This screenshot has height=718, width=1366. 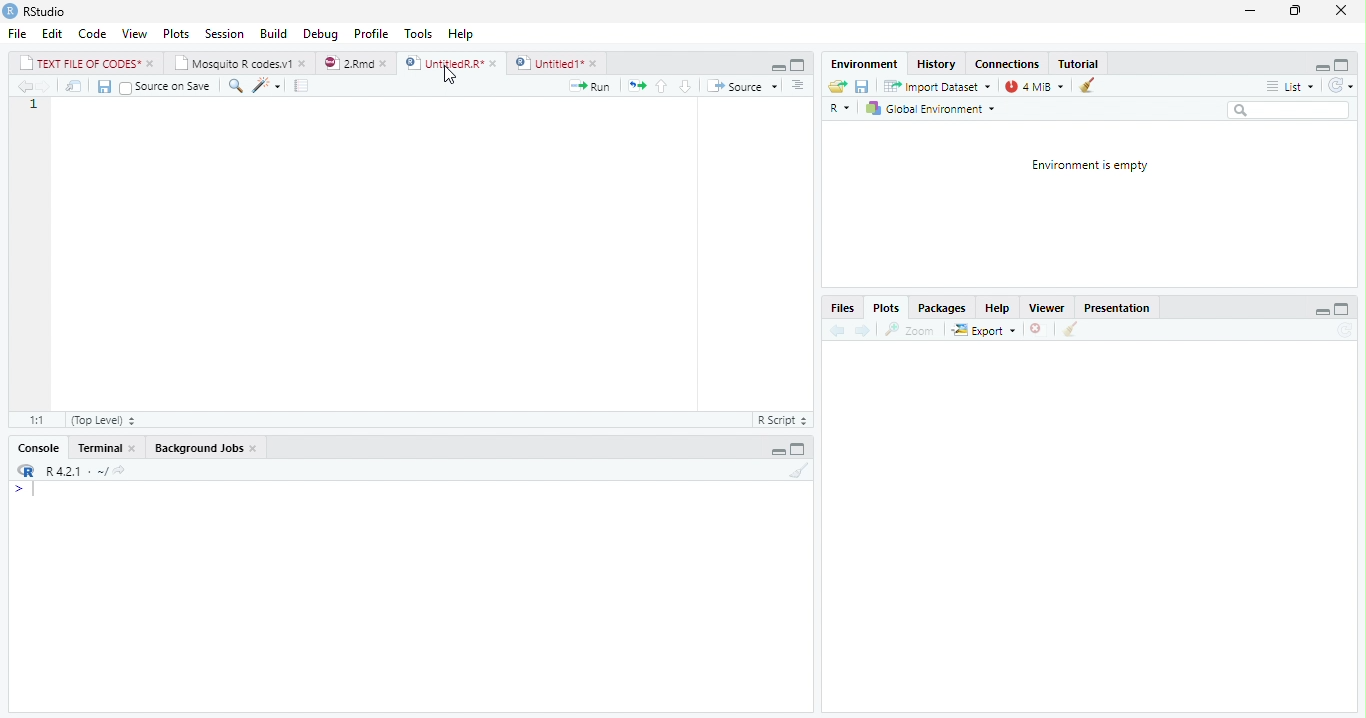 What do you see at coordinates (1344, 310) in the screenshot?
I see `hide console` at bounding box center [1344, 310].